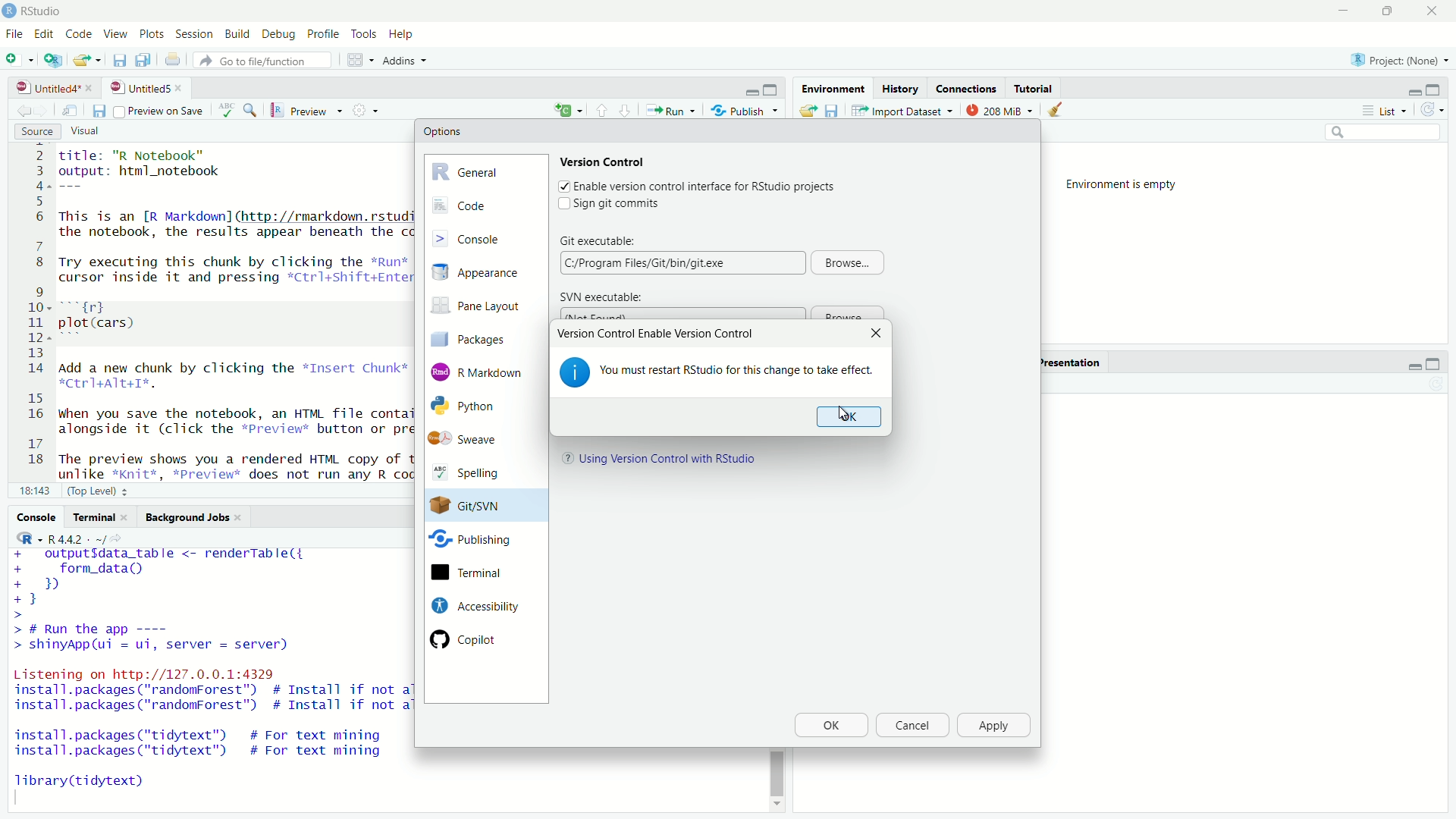 This screenshot has height=819, width=1456. What do you see at coordinates (846, 417) in the screenshot?
I see `OK` at bounding box center [846, 417].